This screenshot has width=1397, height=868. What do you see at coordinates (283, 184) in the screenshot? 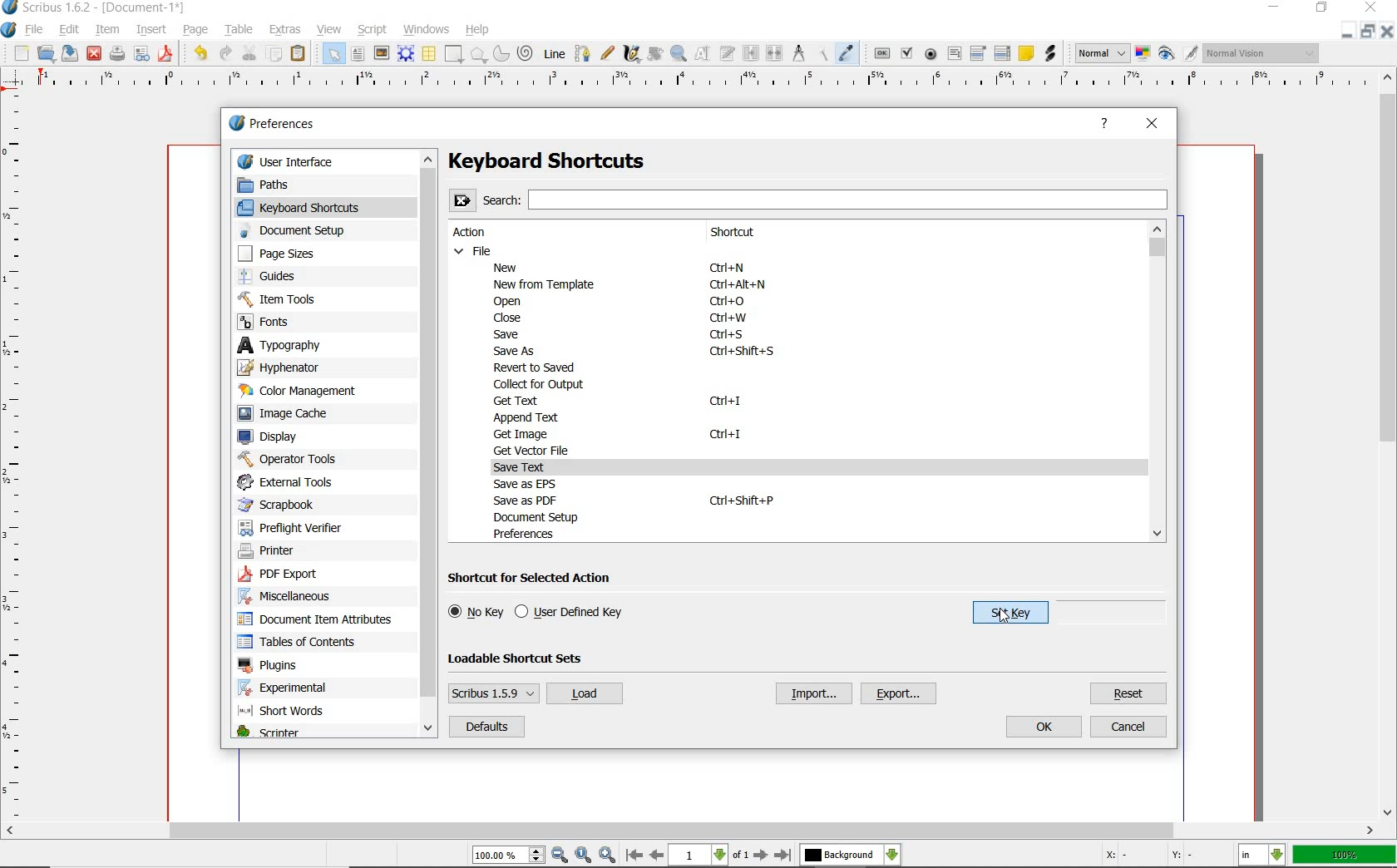
I see `paths` at bounding box center [283, 184].